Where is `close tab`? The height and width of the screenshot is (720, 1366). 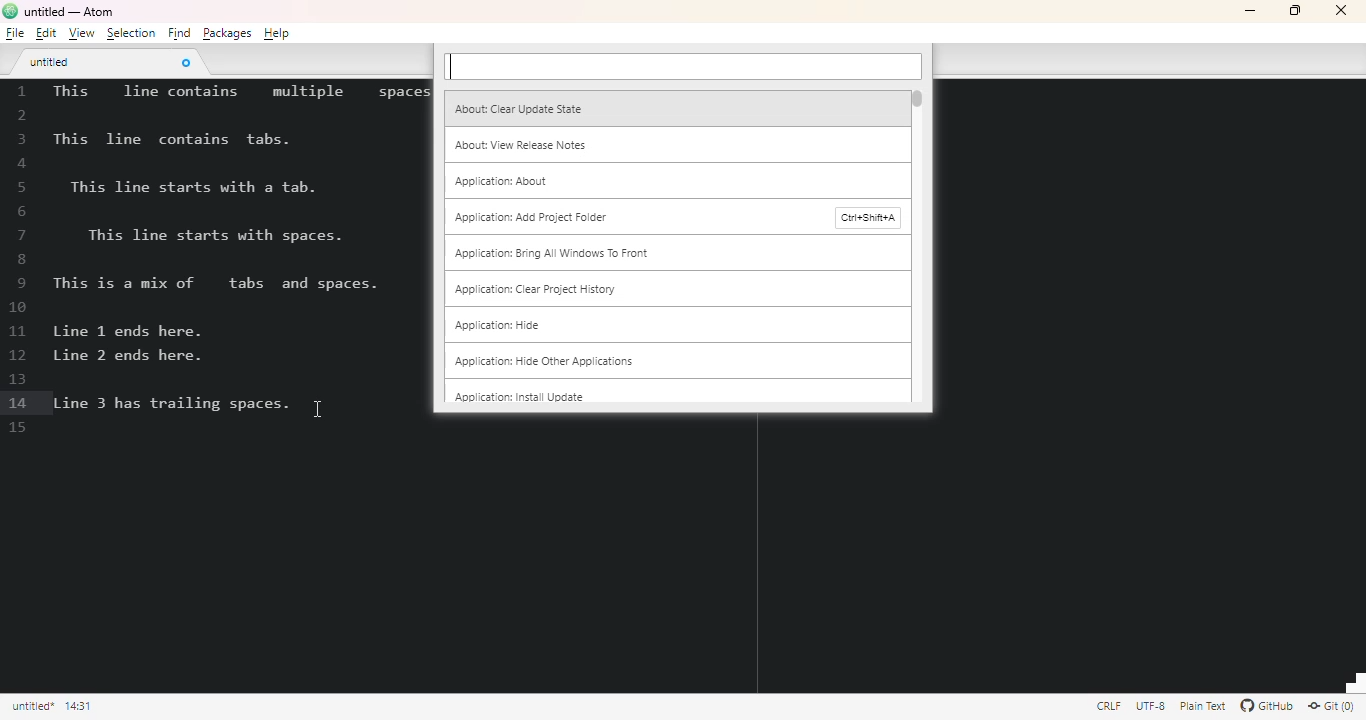 close tab is located at coordinates (185, 62).